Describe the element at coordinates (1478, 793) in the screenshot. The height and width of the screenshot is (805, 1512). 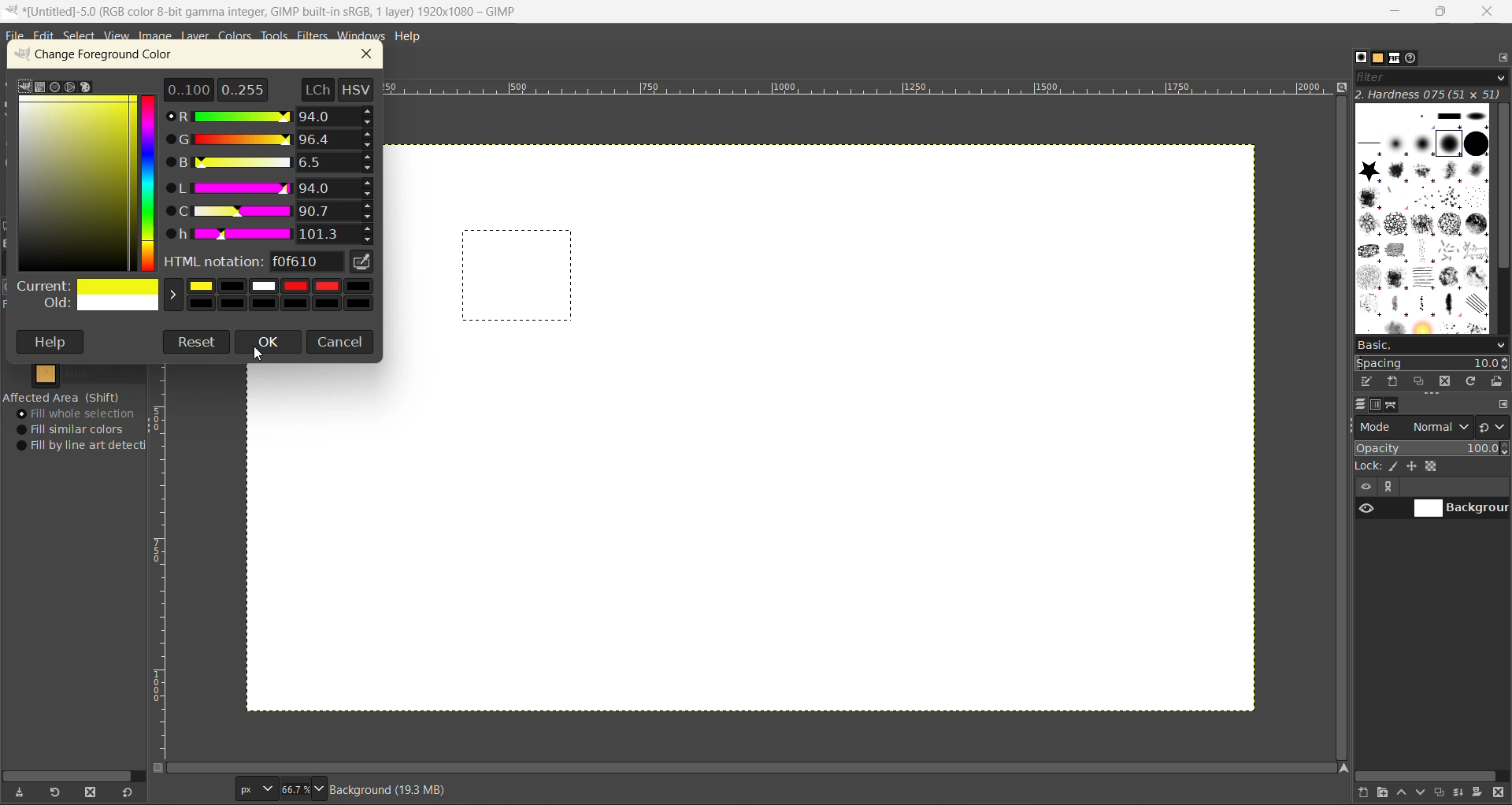
I see `add a mask` at that location.